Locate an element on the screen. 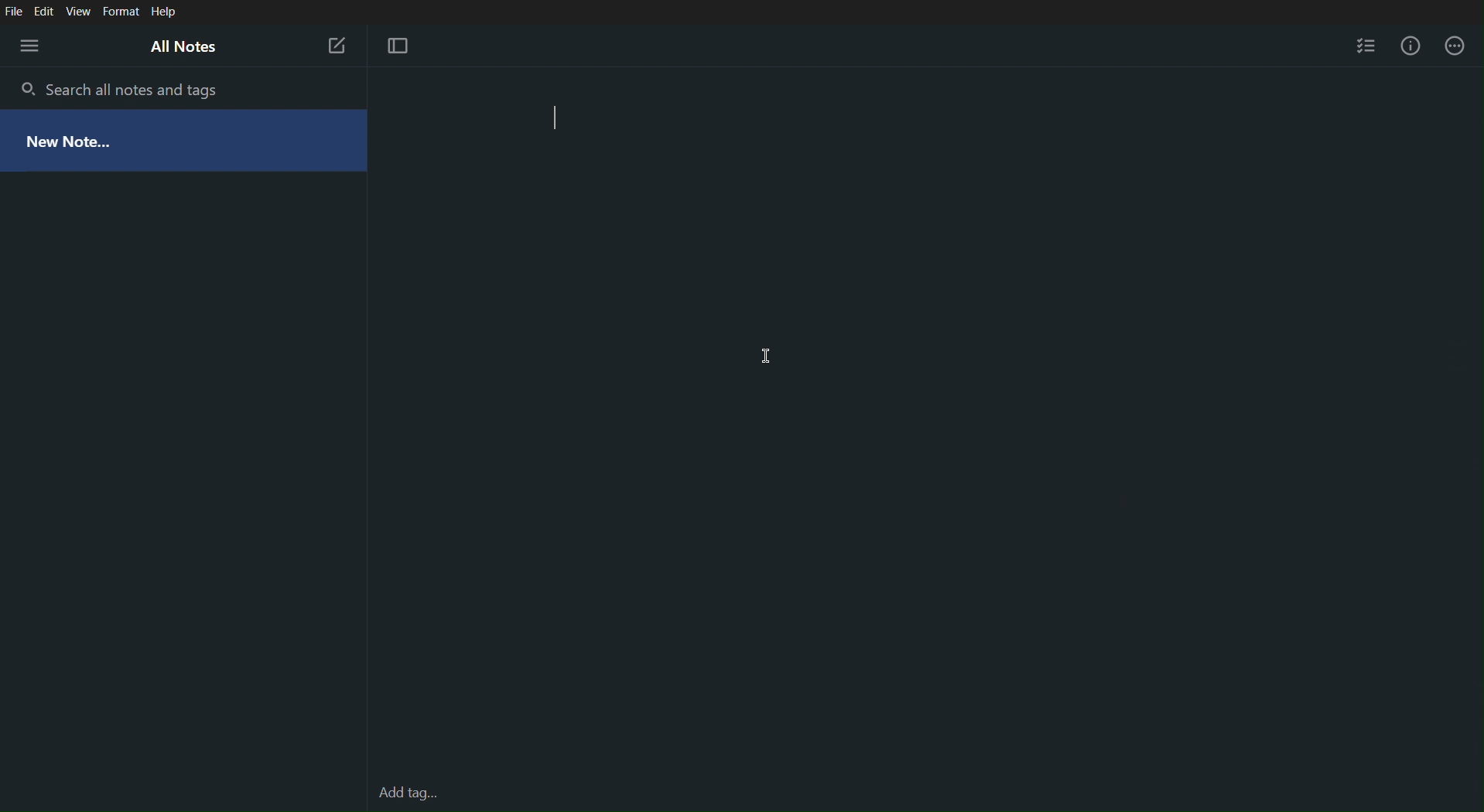  All Notes is located at coordinates (184, 48).